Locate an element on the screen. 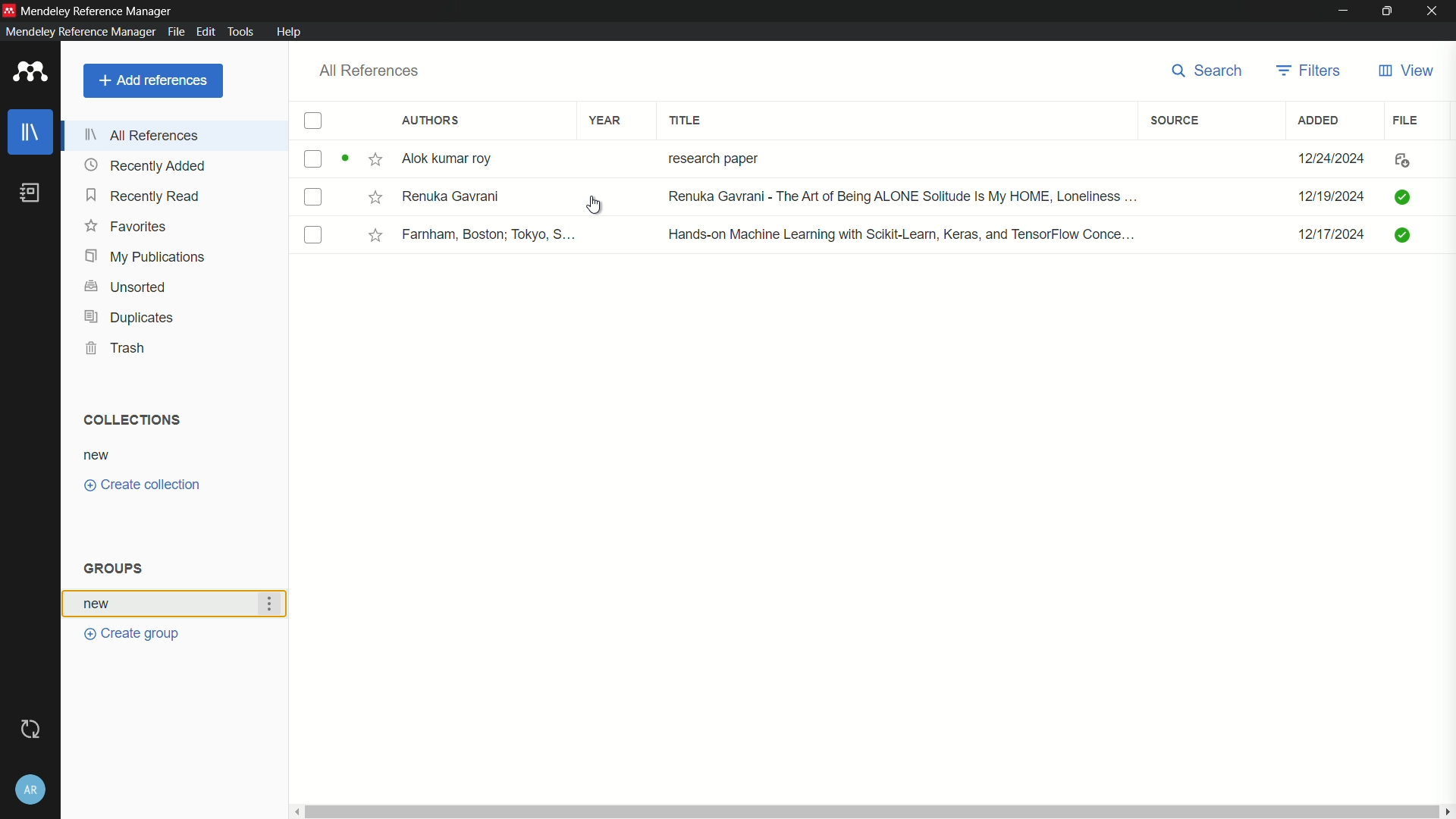  unsorted is located at coordinates (126, 285).